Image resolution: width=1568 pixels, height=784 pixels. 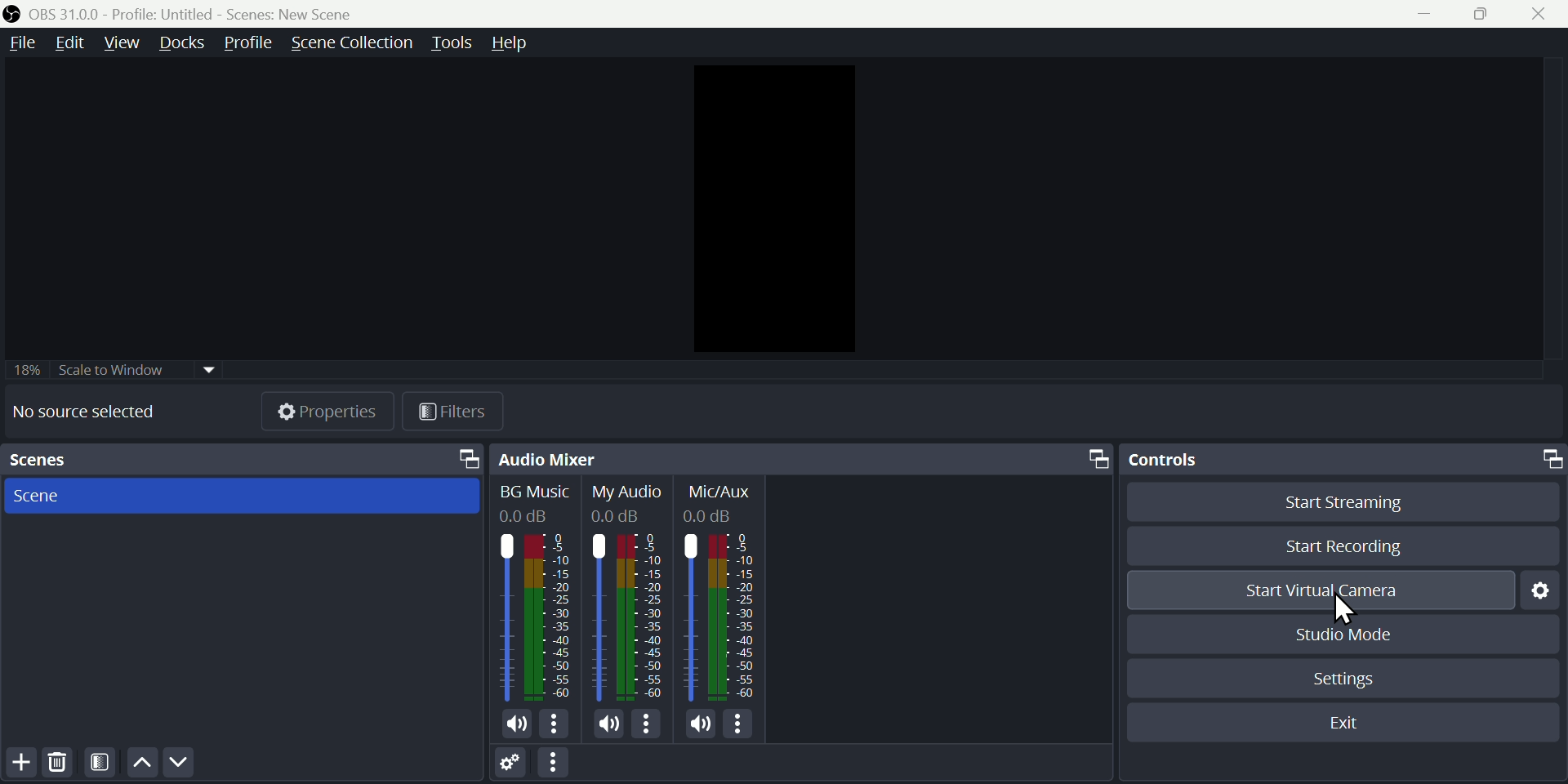 I want to click on Delete, so click(x=60, y=762).